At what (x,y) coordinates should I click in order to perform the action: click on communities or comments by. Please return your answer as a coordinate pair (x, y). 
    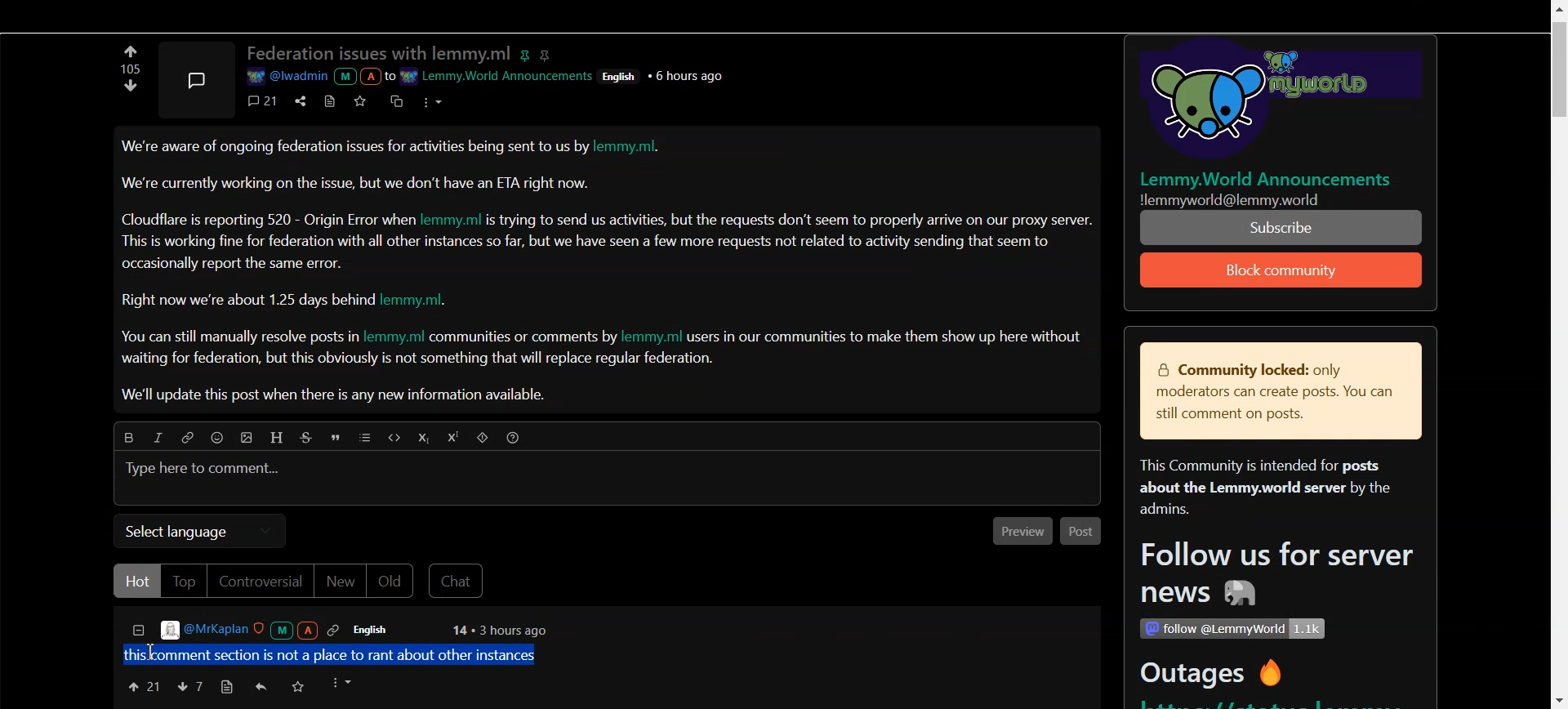
    Looking at the image, I should click on (524, 338).